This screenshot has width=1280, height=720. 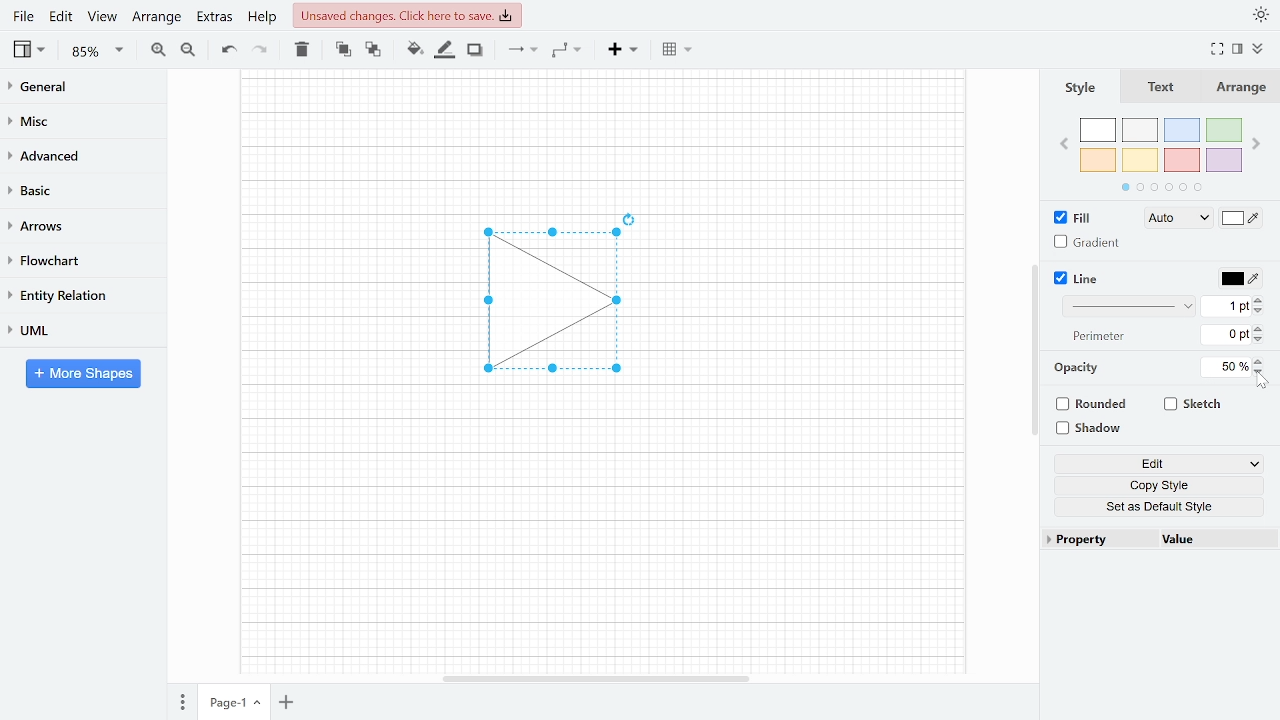 I want to click on white, so click(x=1098, y=131).